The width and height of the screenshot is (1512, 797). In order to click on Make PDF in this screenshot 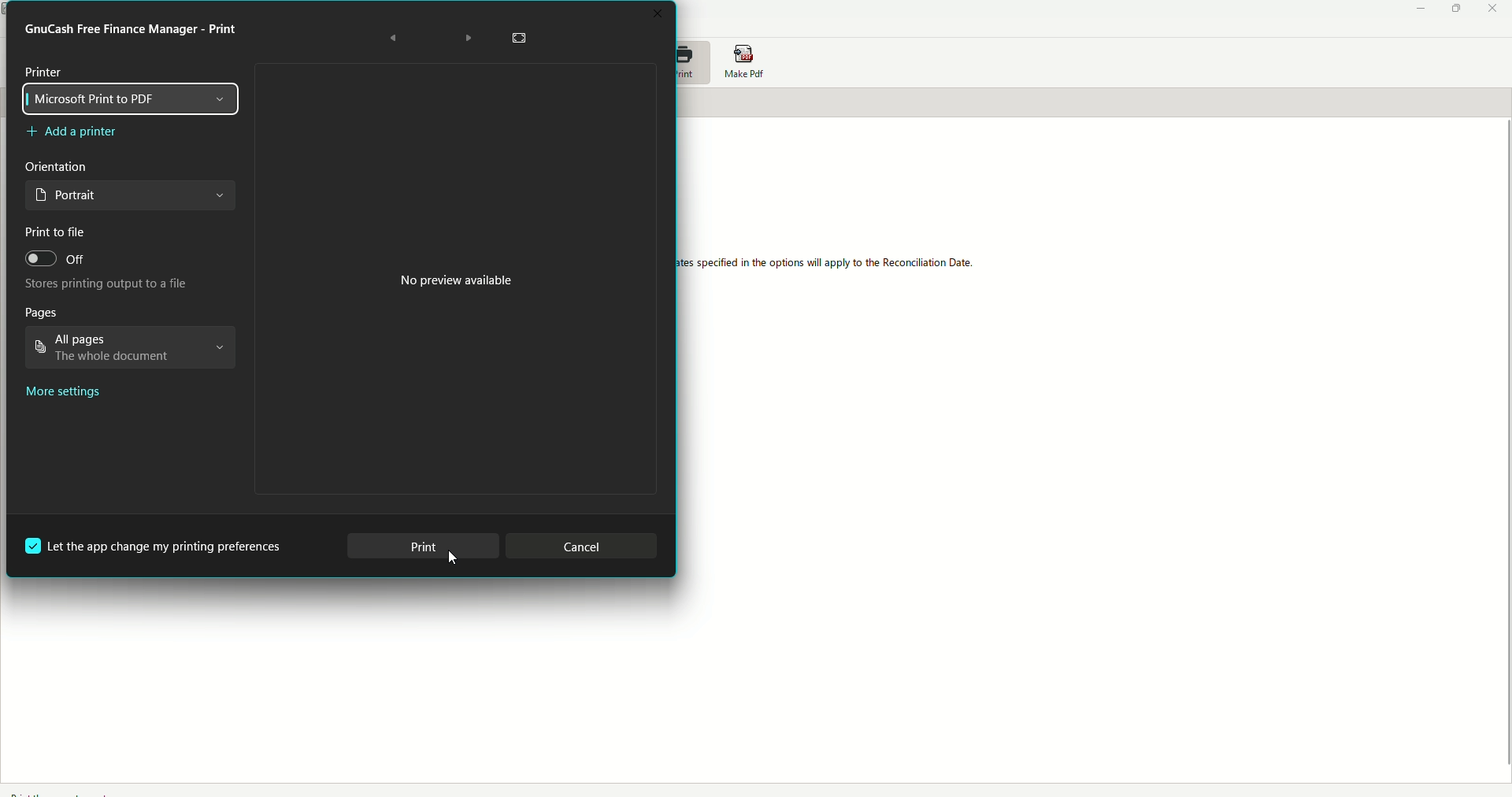, I will do `click(751, 61)`.